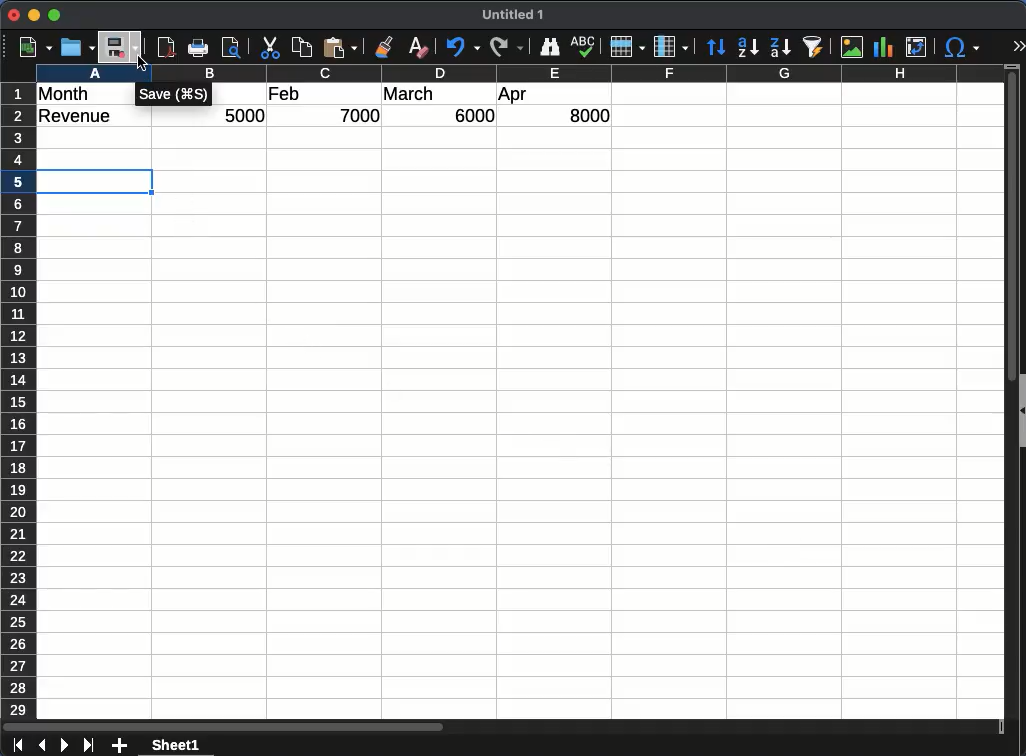  Describe the element at coordinates (362, 115) in the screenshot. I see `7000` at that location.